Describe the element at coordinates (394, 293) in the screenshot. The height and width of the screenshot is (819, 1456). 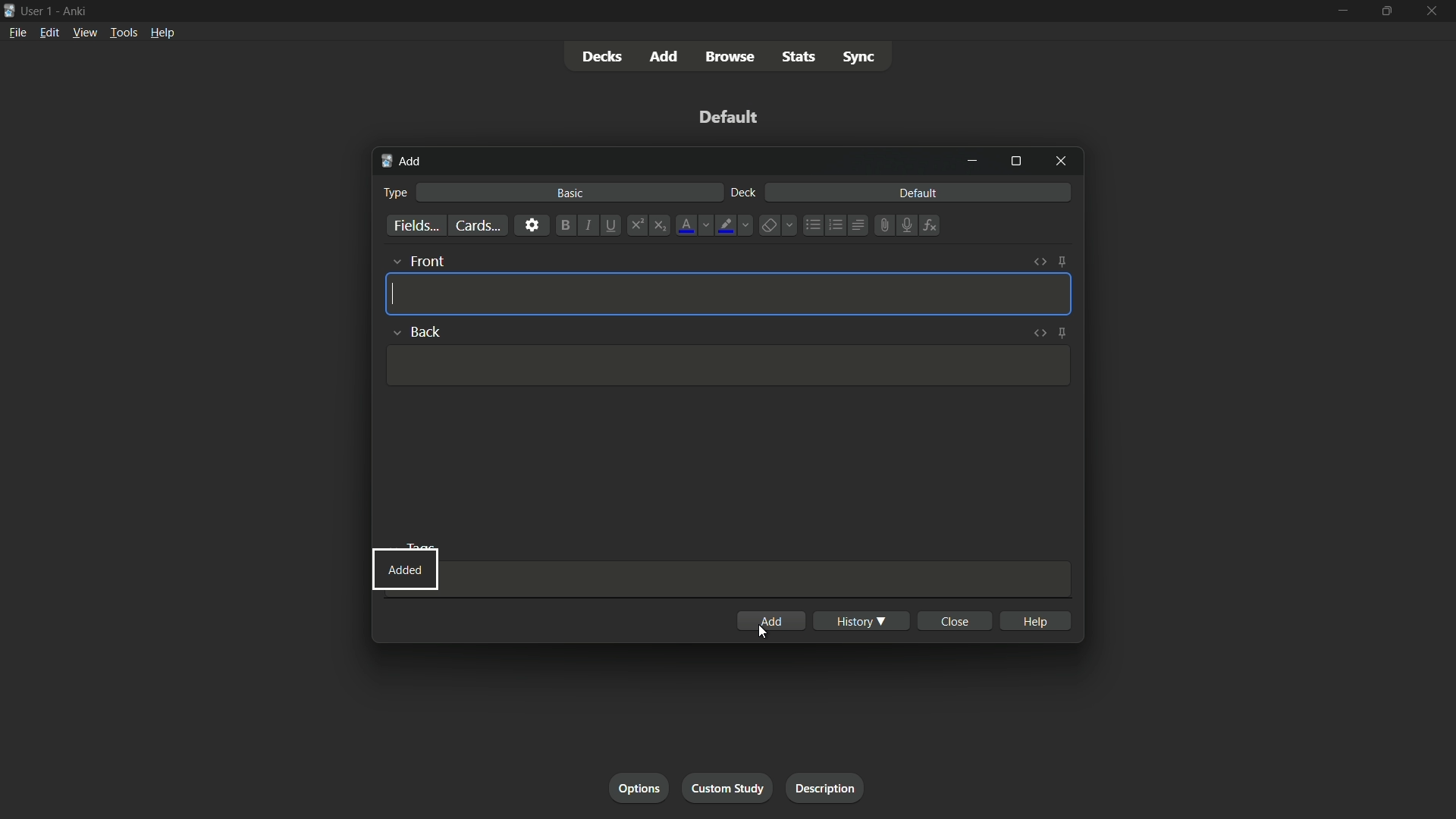
I see `typing cursor` at that location.